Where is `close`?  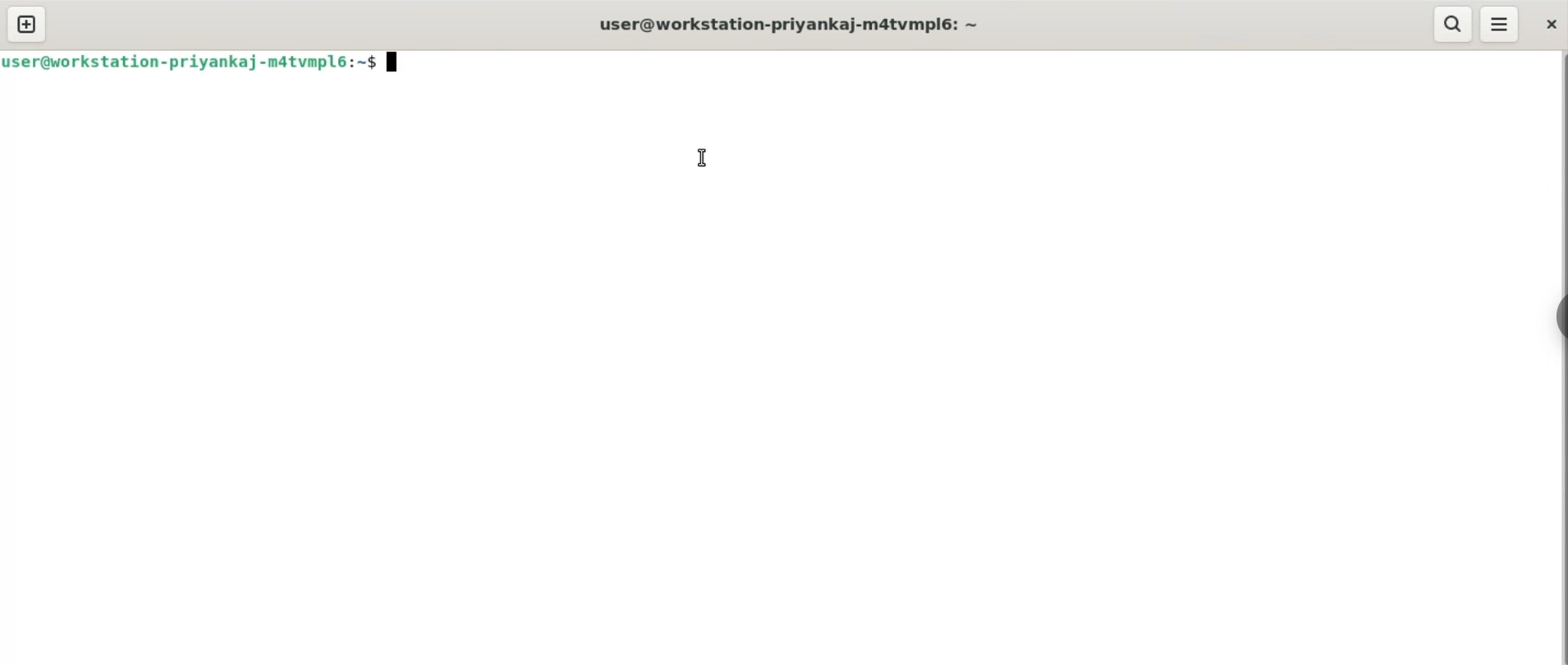 close is located at coordinates (1548, 25).